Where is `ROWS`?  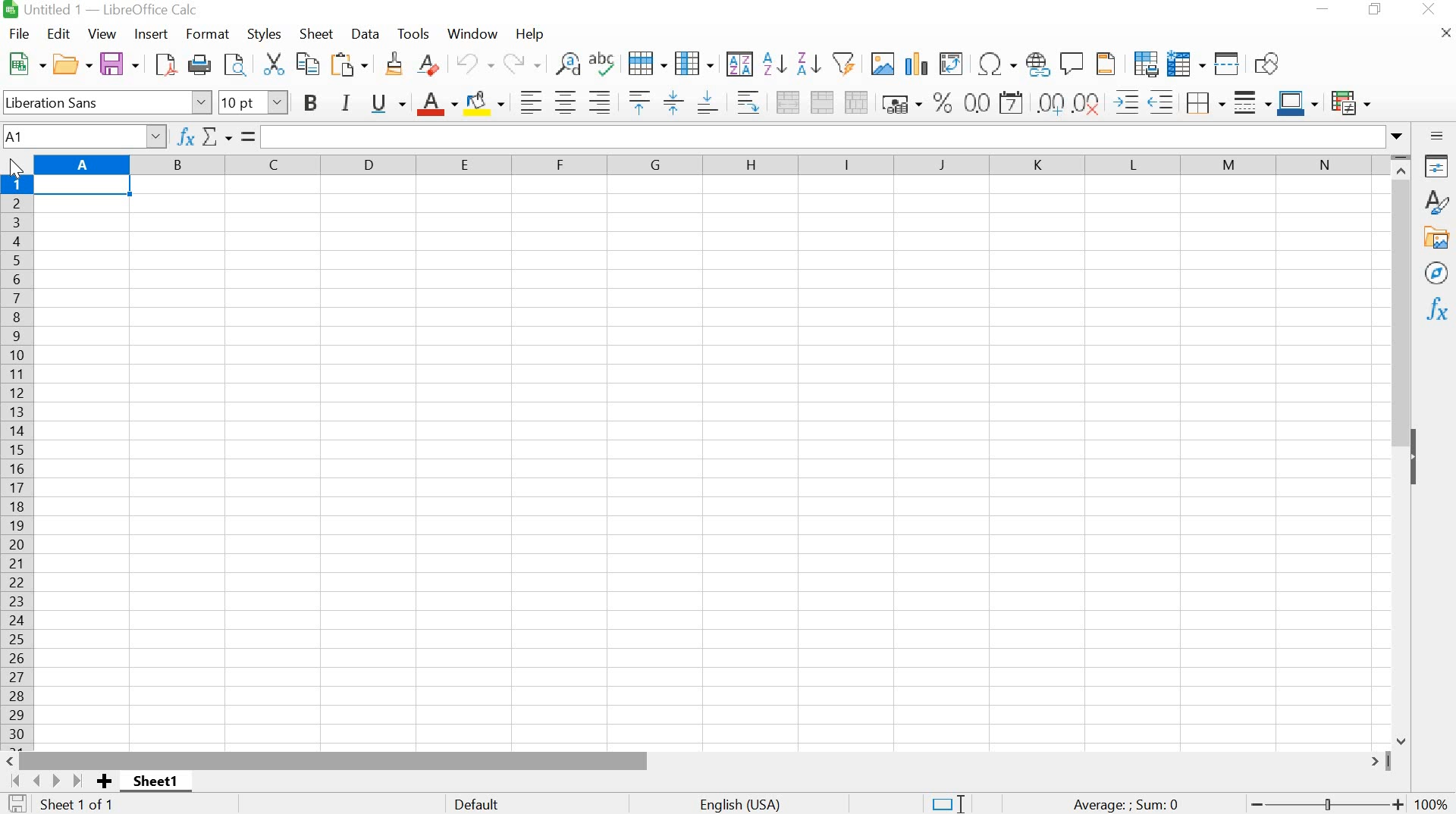 ROWS is located at coordinates (15, 461).